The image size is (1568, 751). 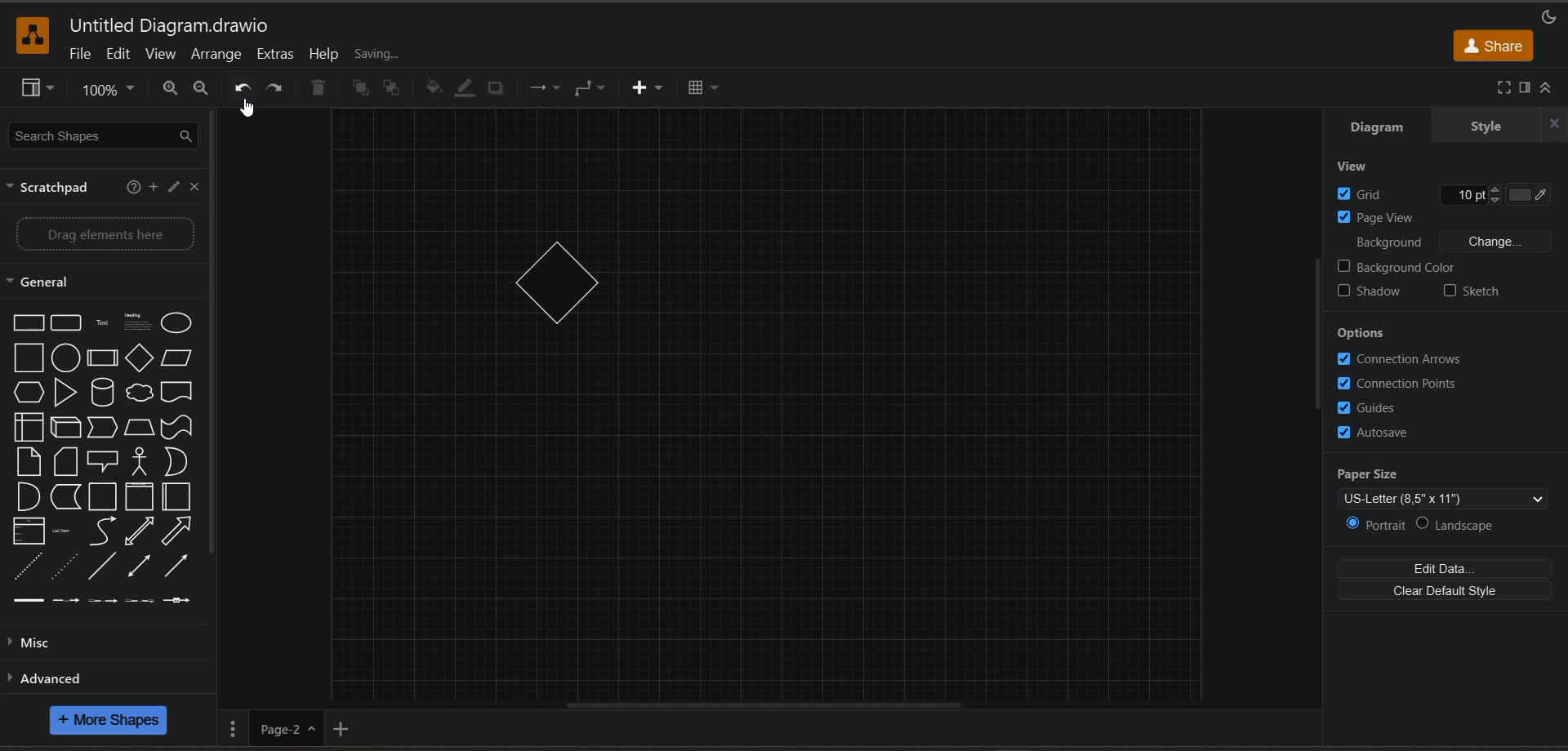 I want to click on fullscreen, so click(x=1502, y=86).